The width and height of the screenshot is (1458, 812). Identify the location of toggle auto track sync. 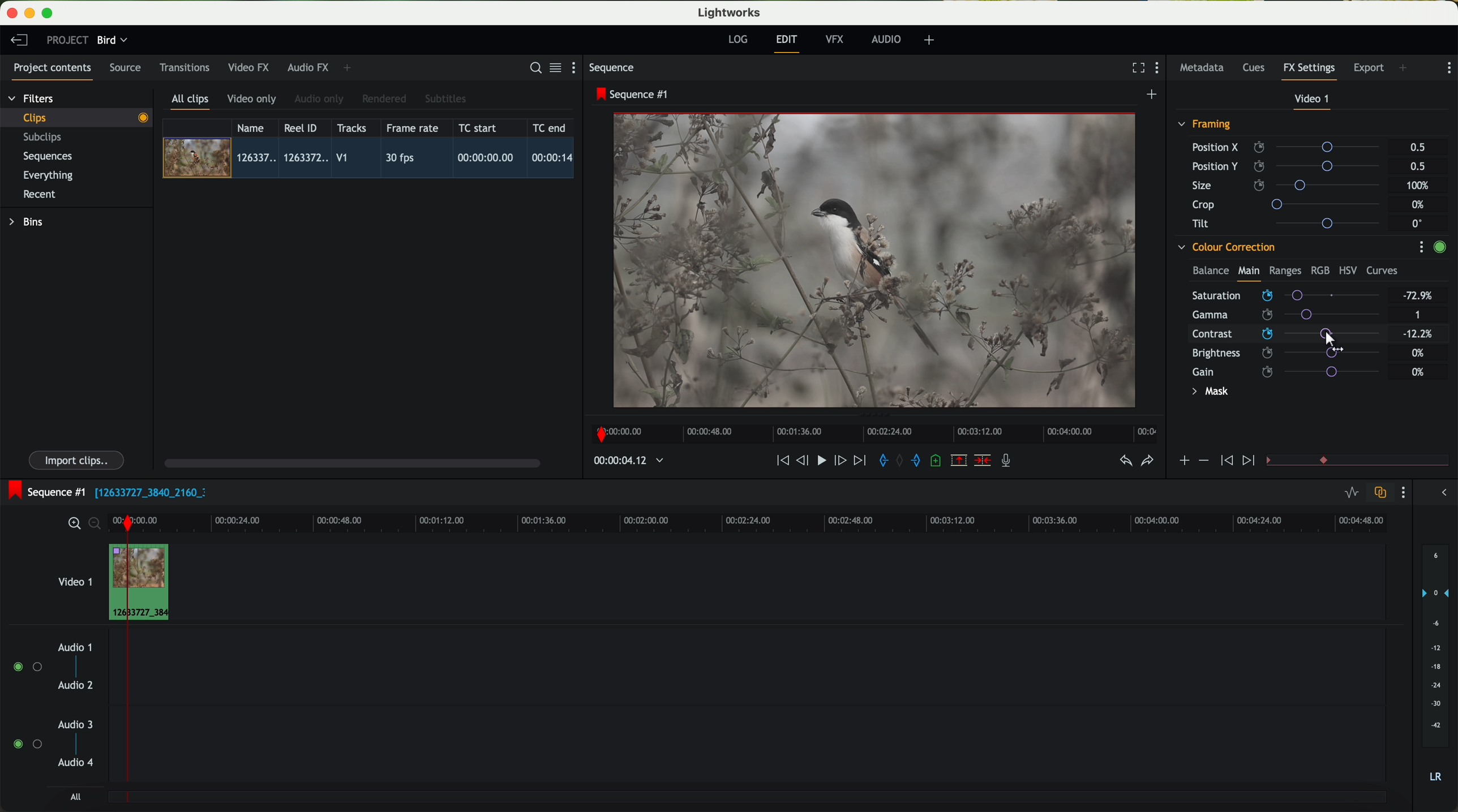
(1378, 493).